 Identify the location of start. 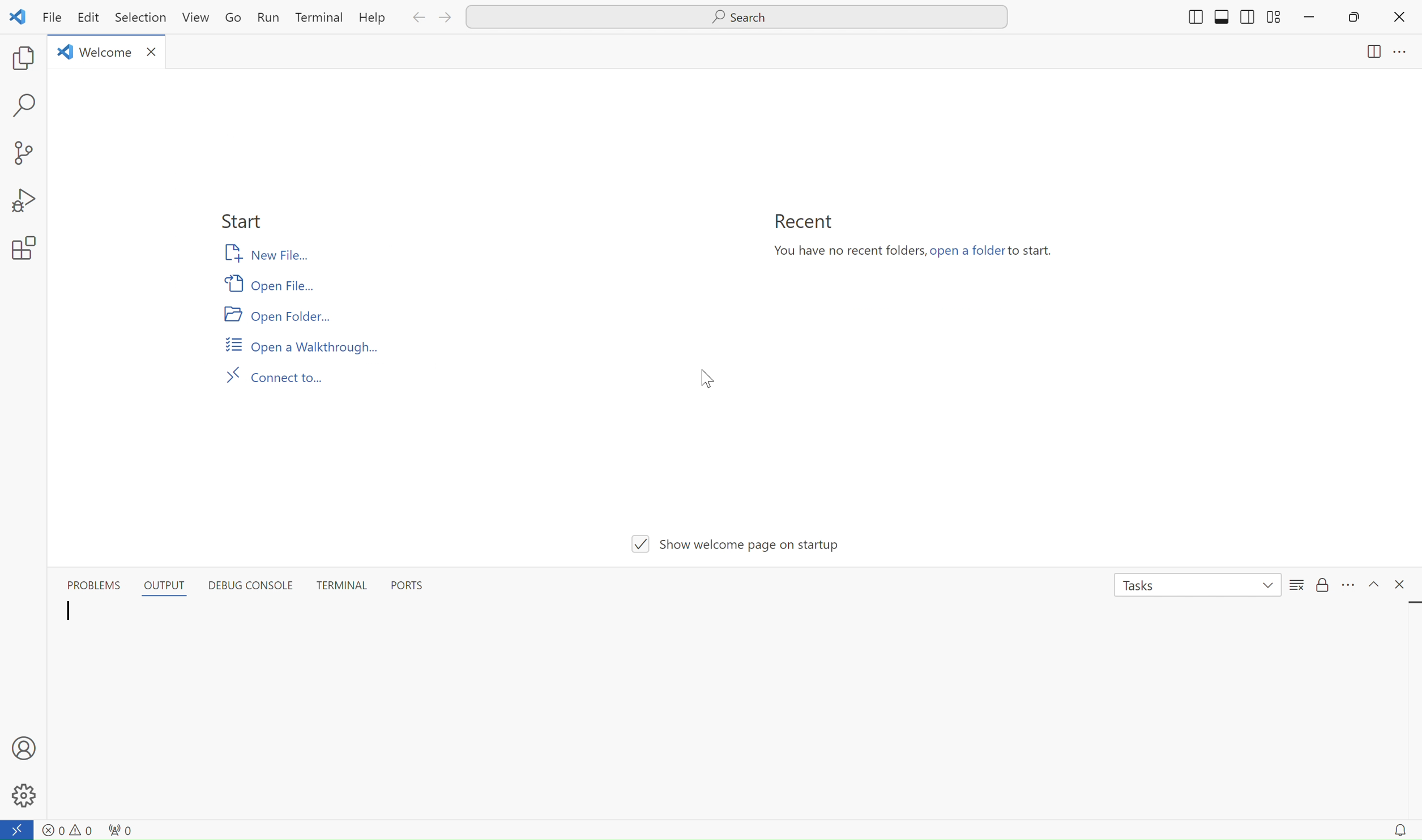
(246, 222).